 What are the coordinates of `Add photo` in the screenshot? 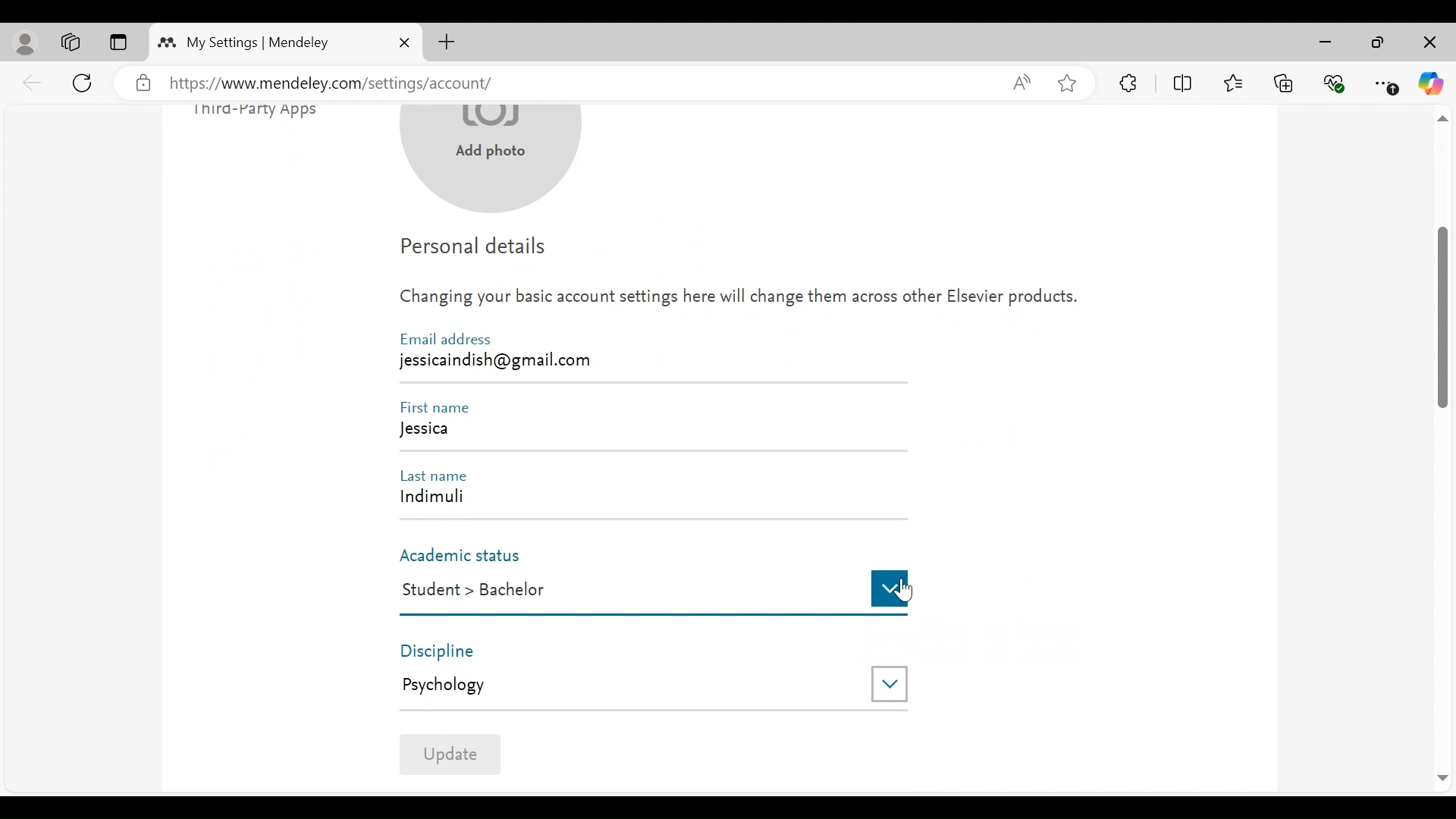 It's located at (492, 162).